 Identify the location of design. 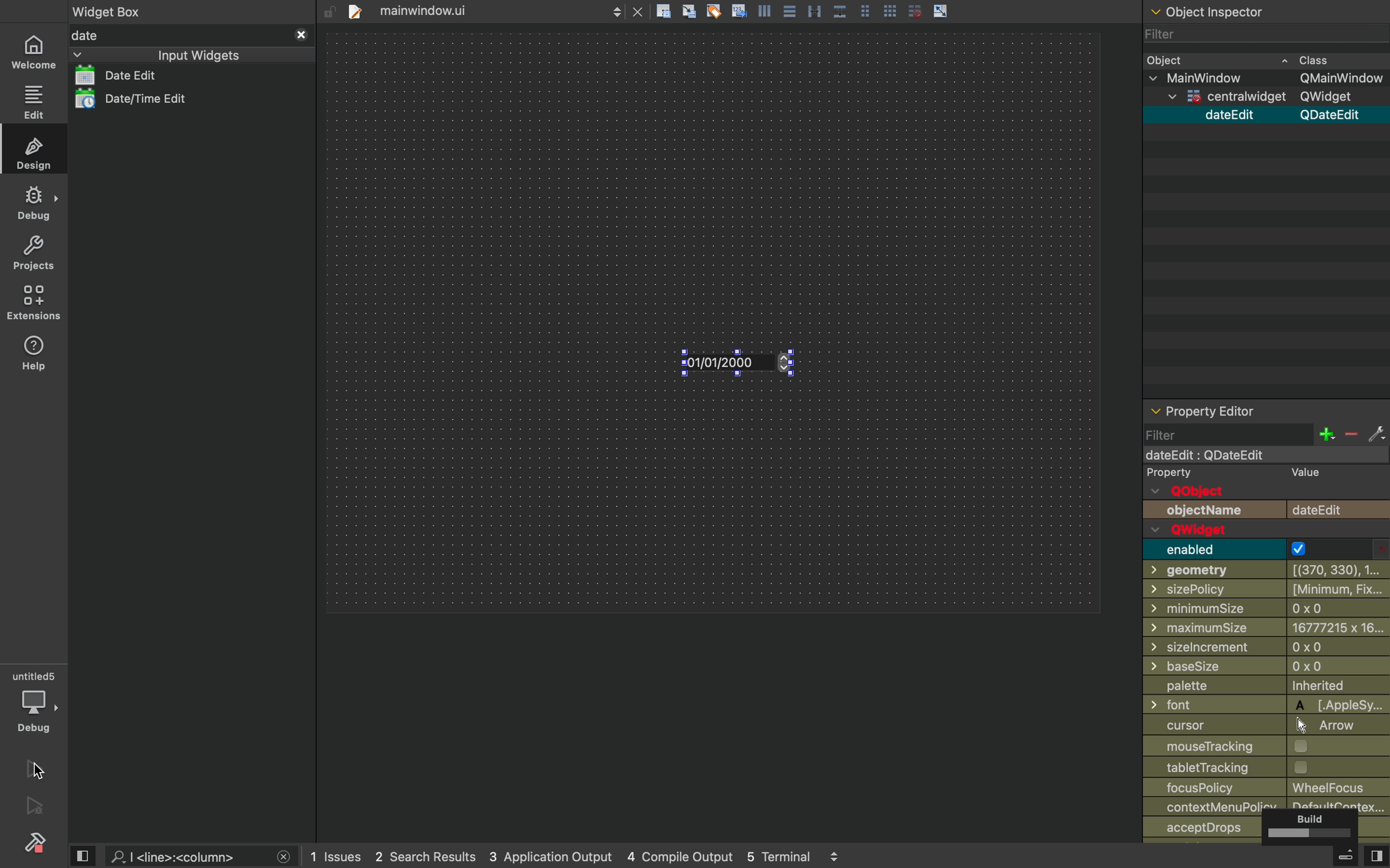
(32, 150).